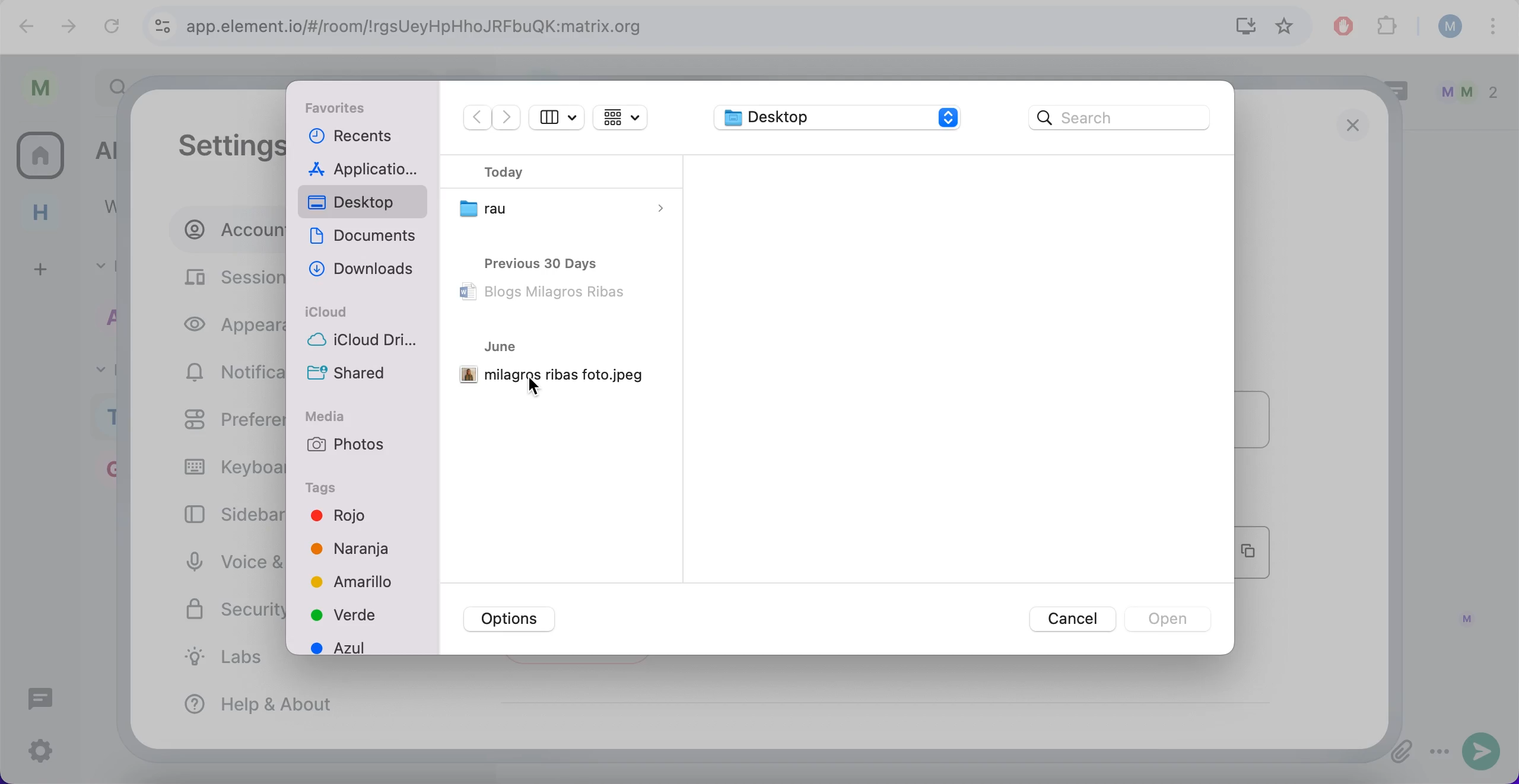  I want to click on downloads, so click(364, 273).